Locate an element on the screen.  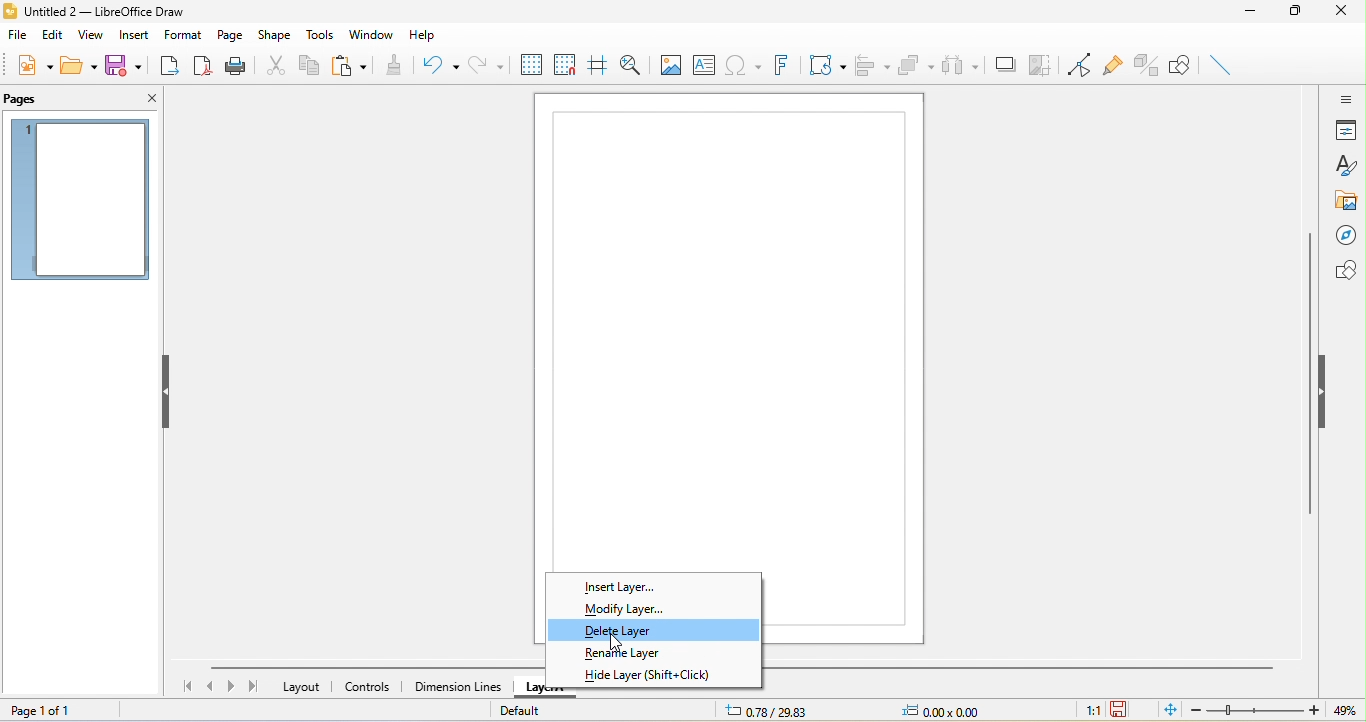
redo is located at coordinates (491, 64).